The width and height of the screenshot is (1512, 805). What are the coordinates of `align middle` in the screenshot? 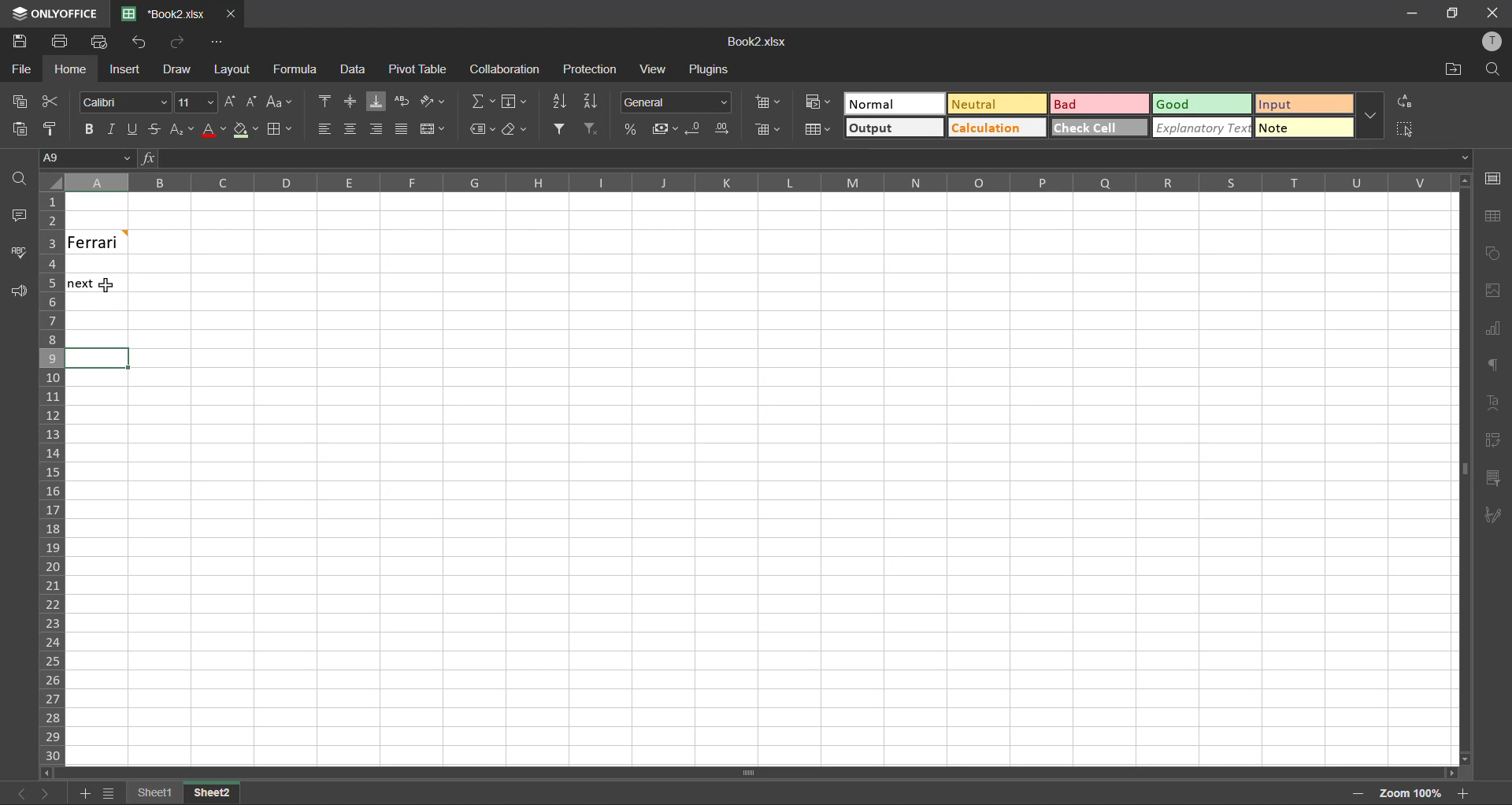 It's located at (352, 102).